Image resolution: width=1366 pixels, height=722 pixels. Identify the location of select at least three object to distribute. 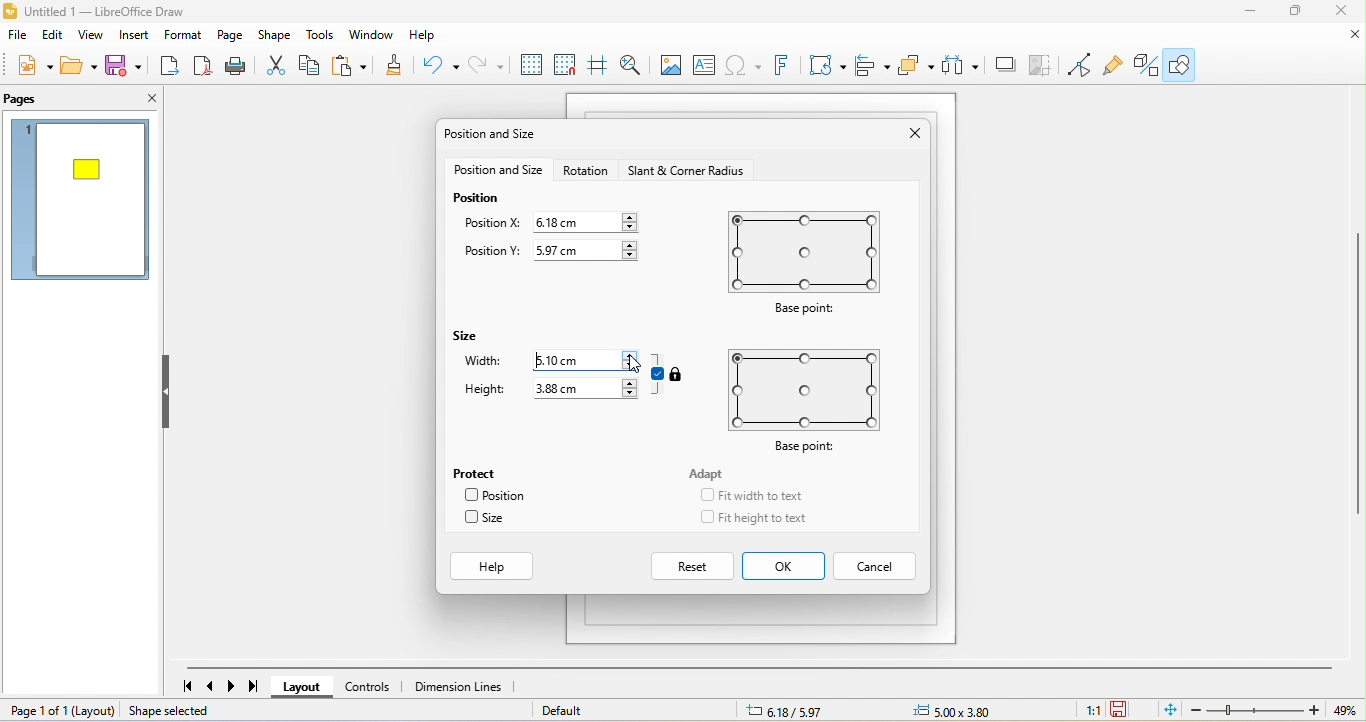
(963, 64).